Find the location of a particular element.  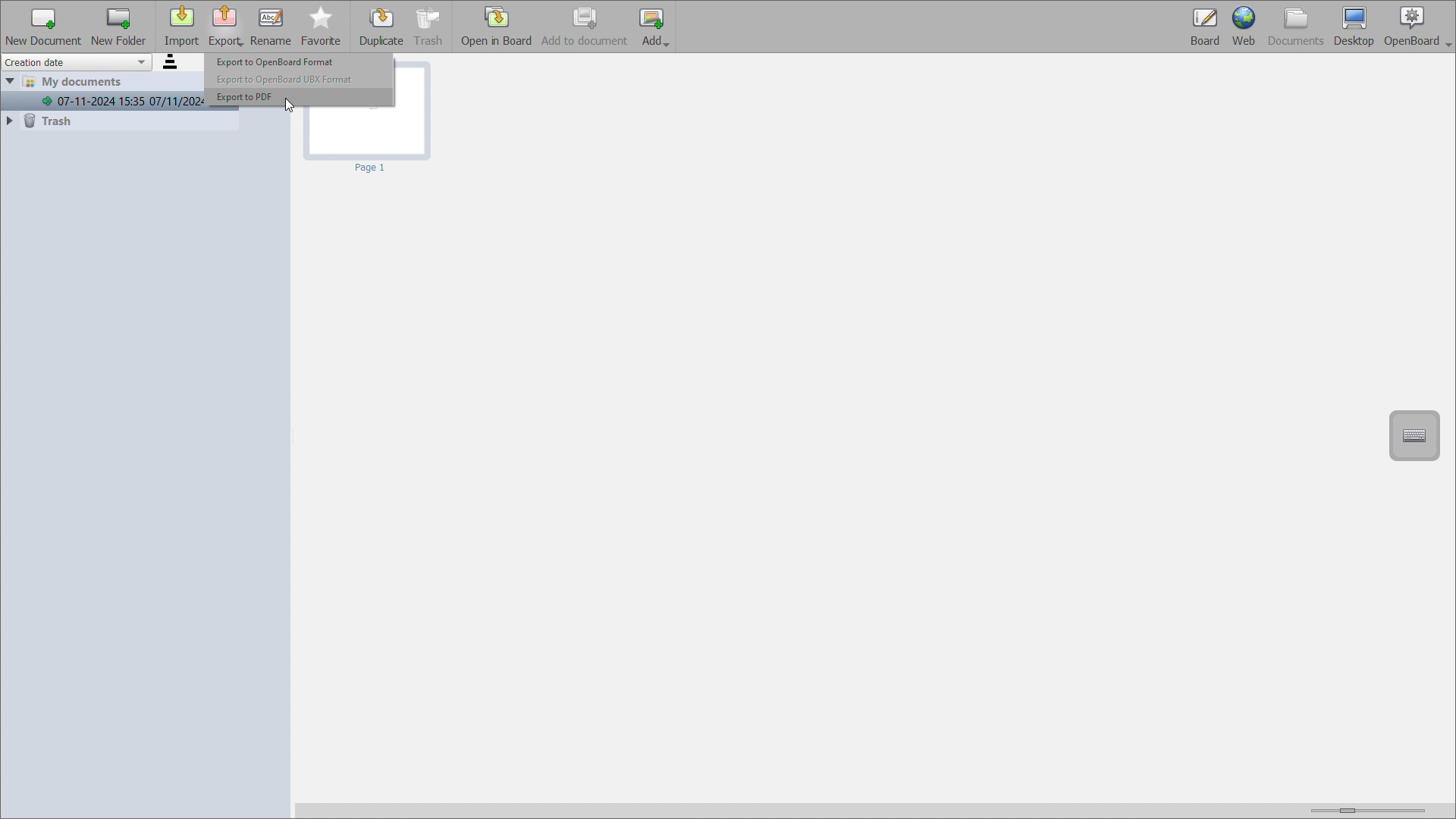

sort order is located at coordinates (171, 62).